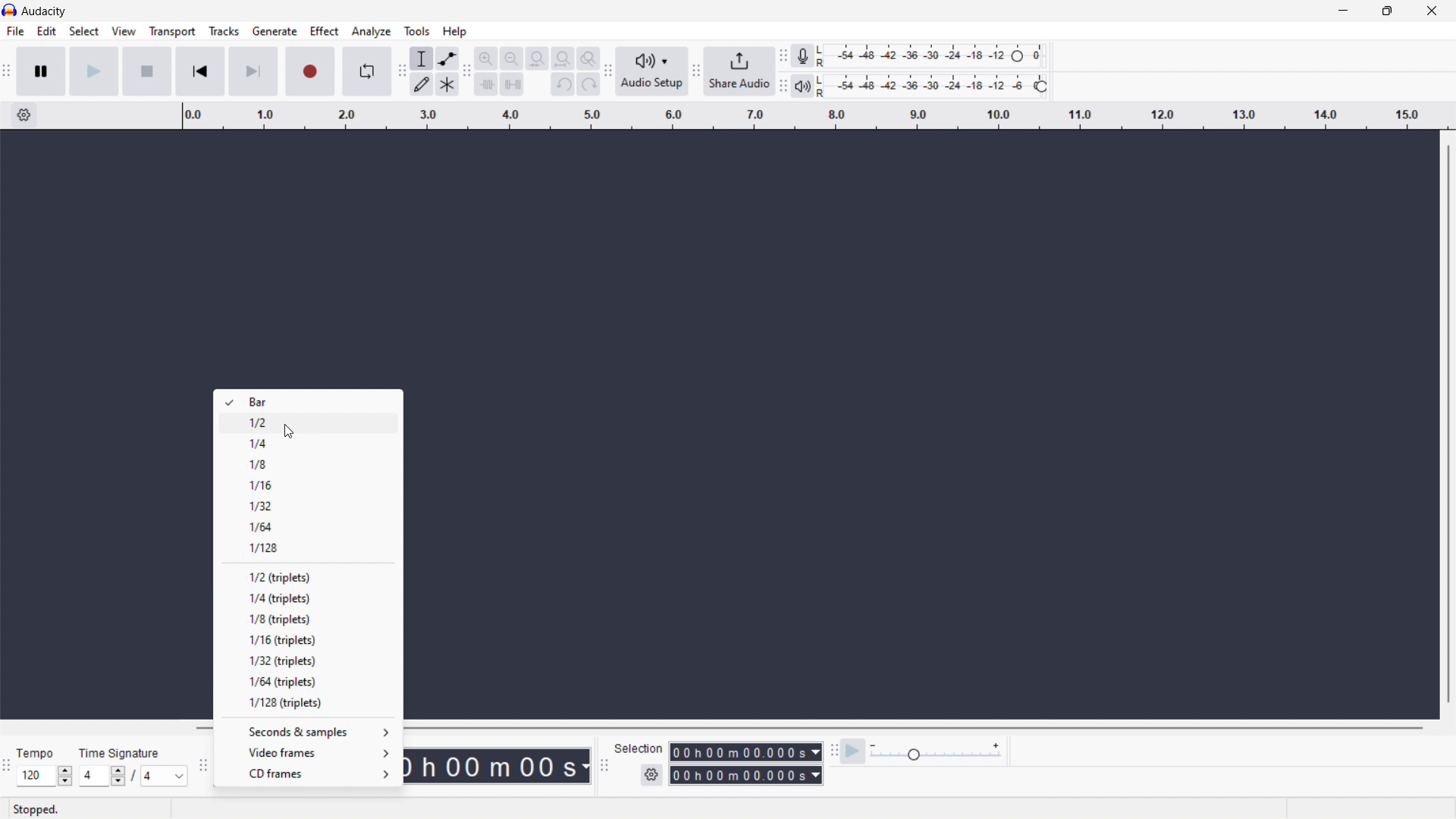 The height and width of the screenshot is (819, 1456). What do you see at coordinates (537, 58) in the screenshot?
I see `fit selection to width` at bounding box center [537, 58].